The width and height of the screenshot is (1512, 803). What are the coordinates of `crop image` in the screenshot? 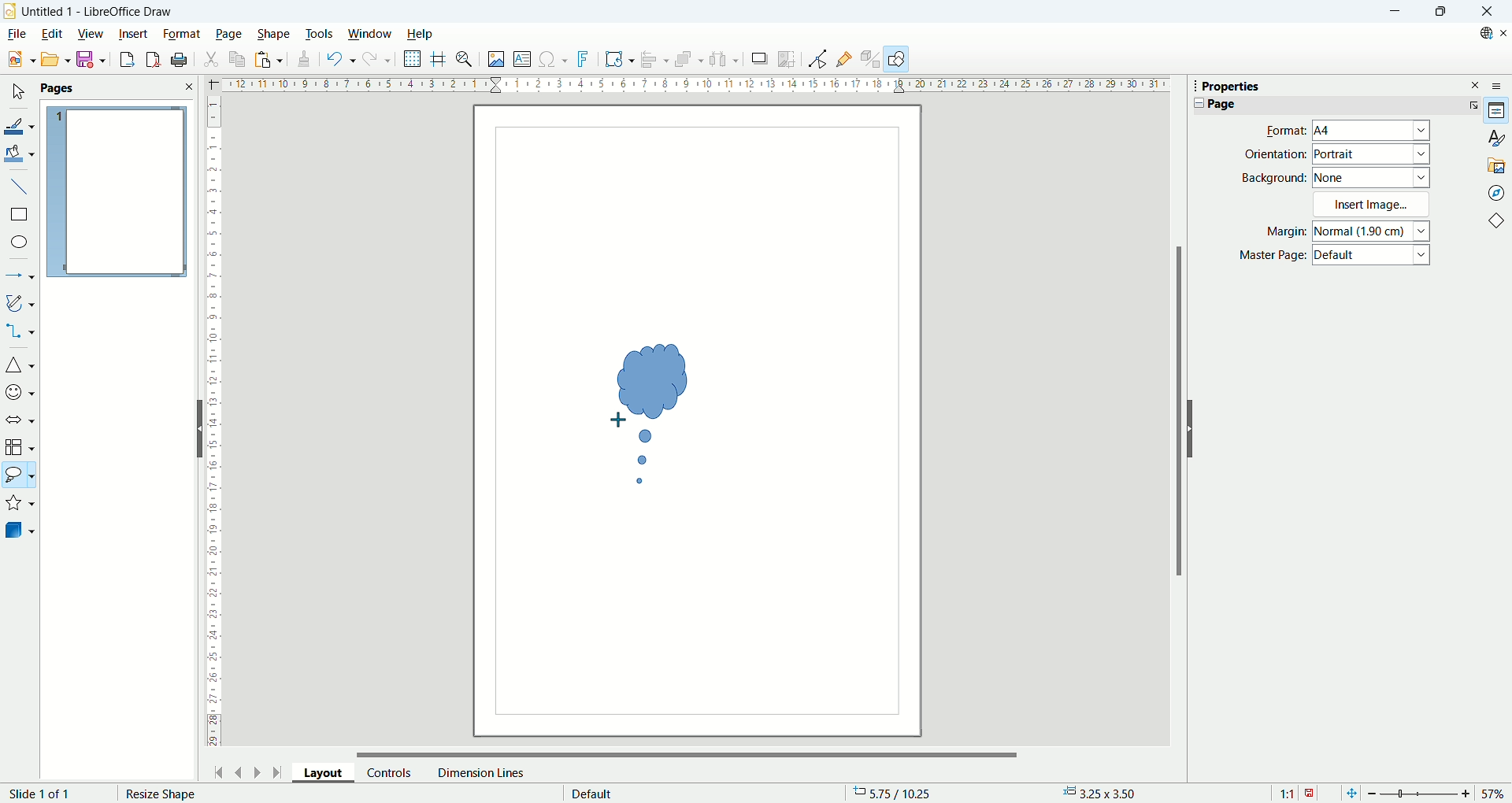 It's located at (787, 57).